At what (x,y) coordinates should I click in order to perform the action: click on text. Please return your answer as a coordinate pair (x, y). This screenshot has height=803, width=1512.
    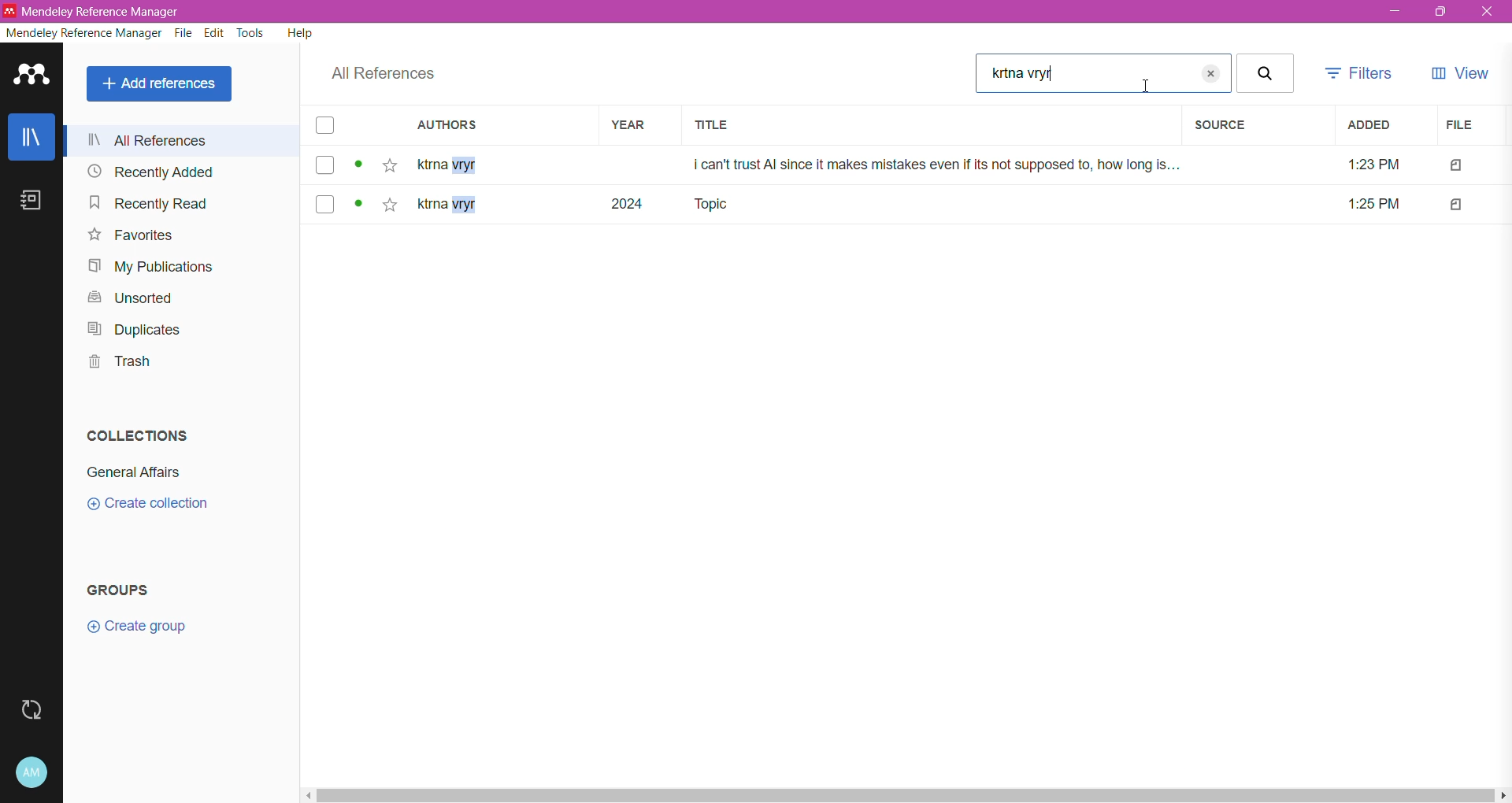
    Looking at the image, I should click on (1032, 74).